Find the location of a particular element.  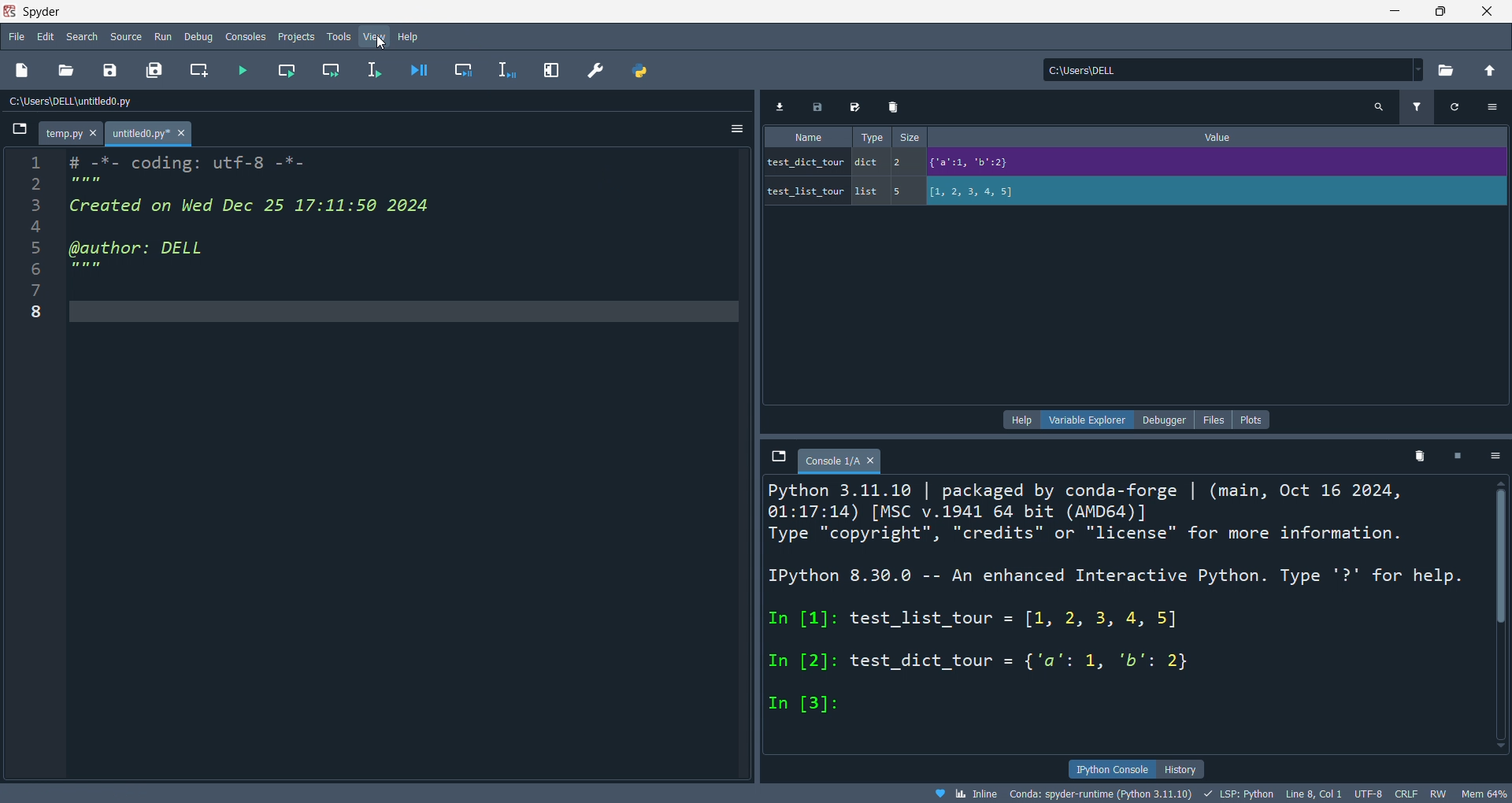

save as is located at coordinates (857, 109).